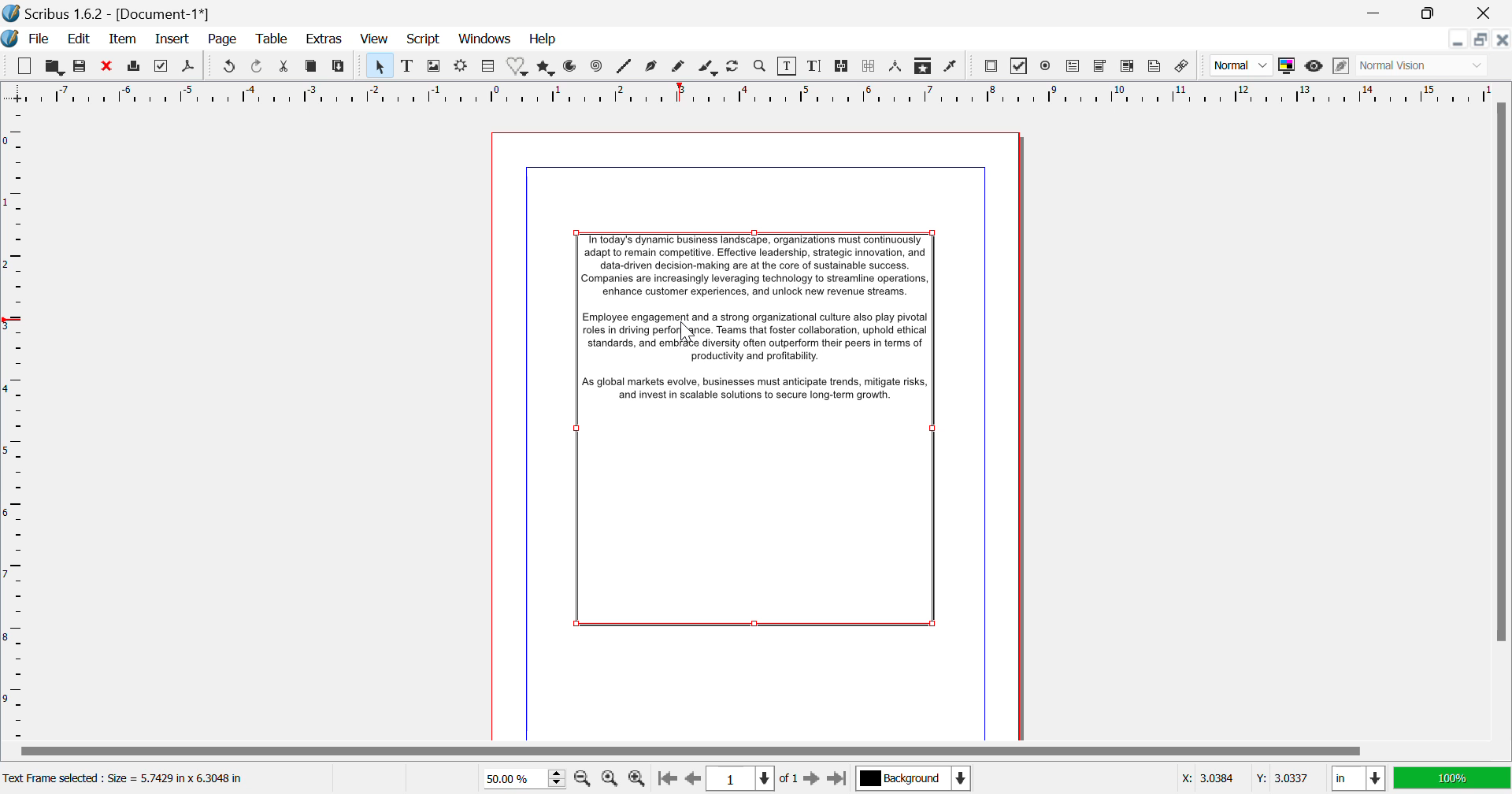 The width and height of the screenshot is (1512, 794). What do you see at coordinates (752, 91) in the screenshot?
I see `Vertical Page Margins` at bounding box center [752, 91].